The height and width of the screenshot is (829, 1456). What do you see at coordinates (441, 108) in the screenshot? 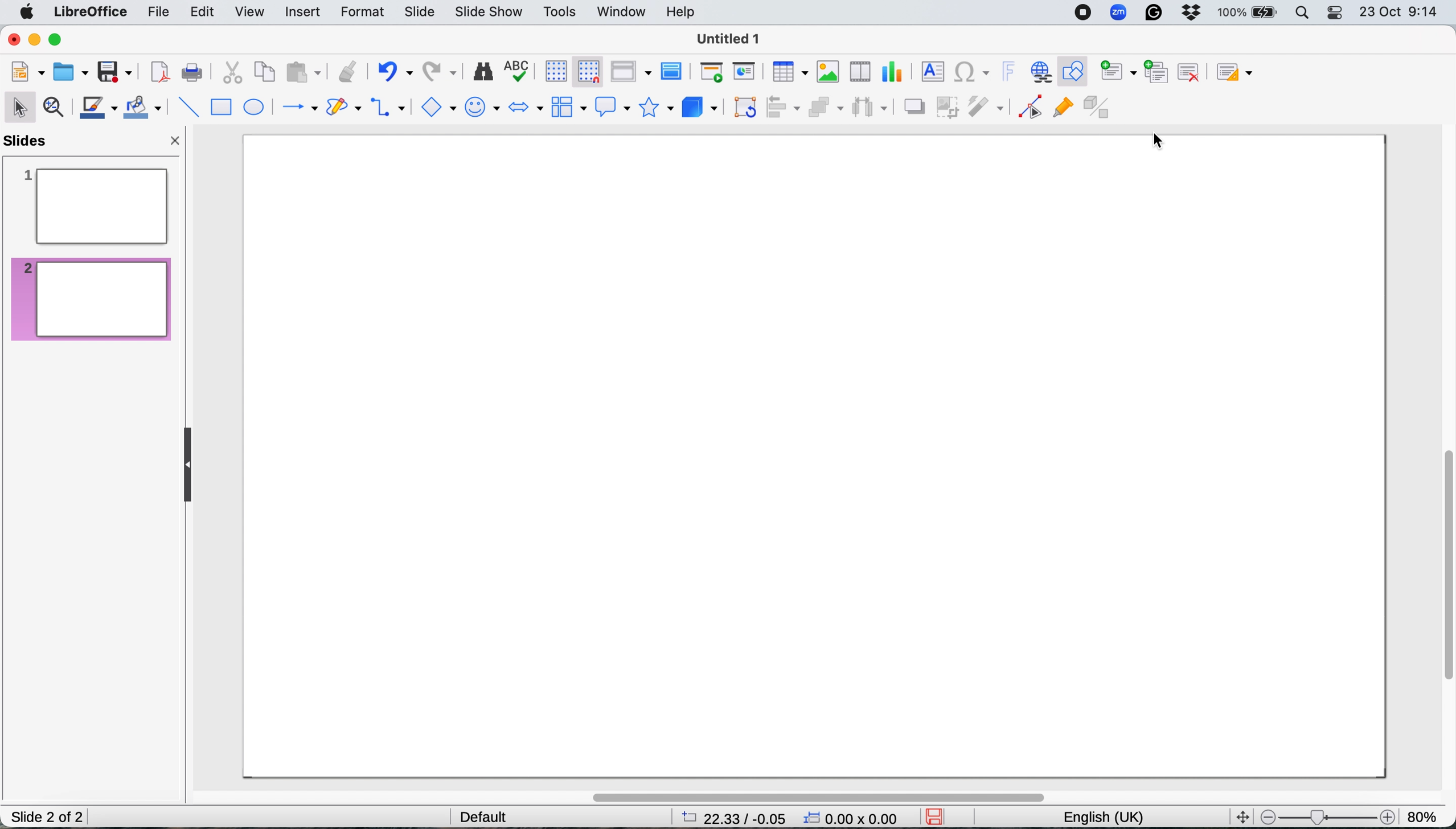
I see `basic shapes` at bounding box center [441, 108].